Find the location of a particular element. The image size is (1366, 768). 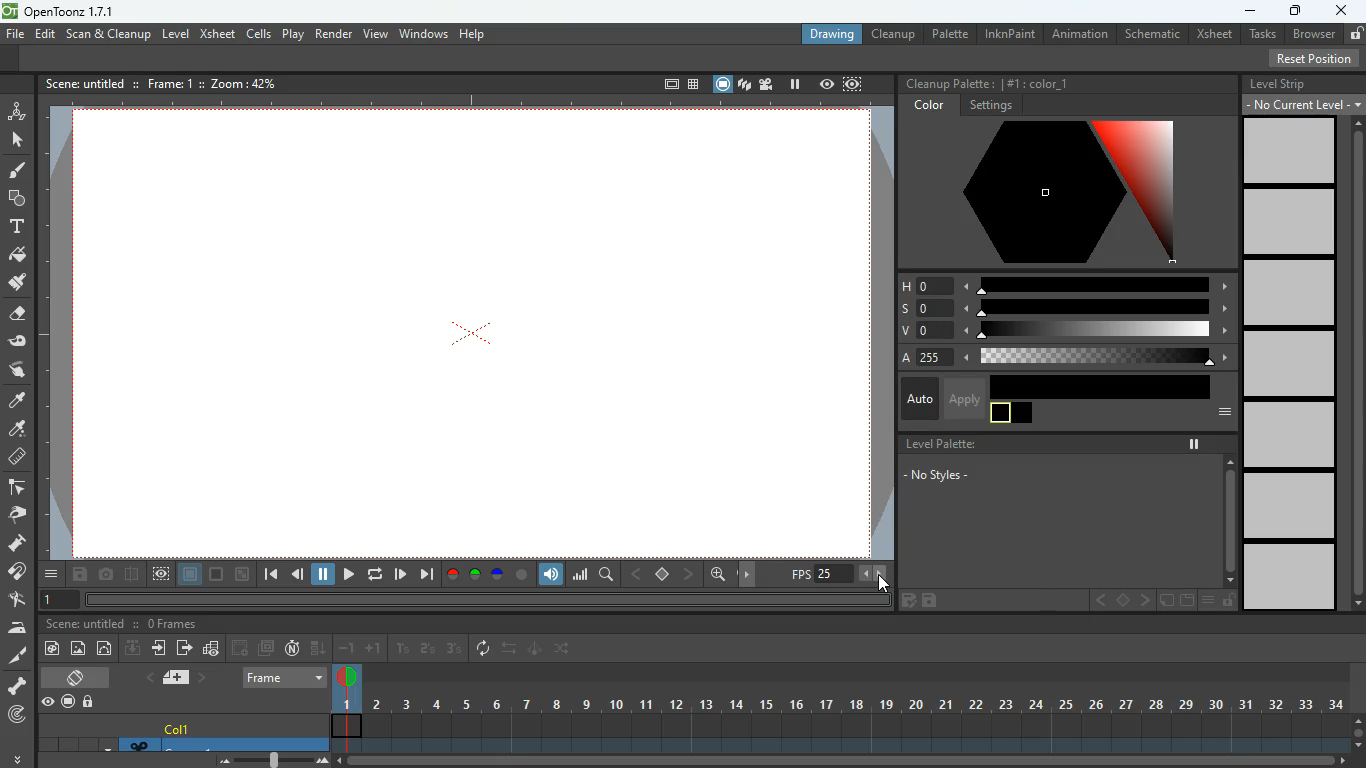

screen is located at coordinates (471, 332).